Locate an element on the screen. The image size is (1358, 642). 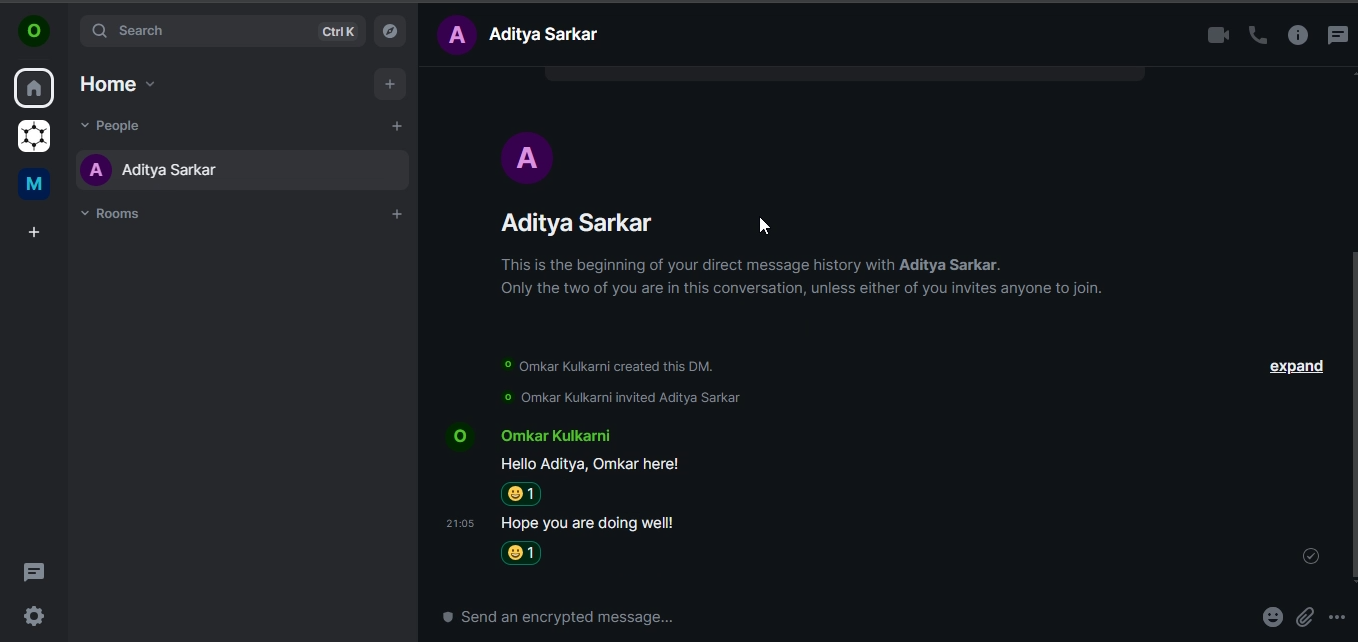
quicker settings is located at coordinates (35, 613).